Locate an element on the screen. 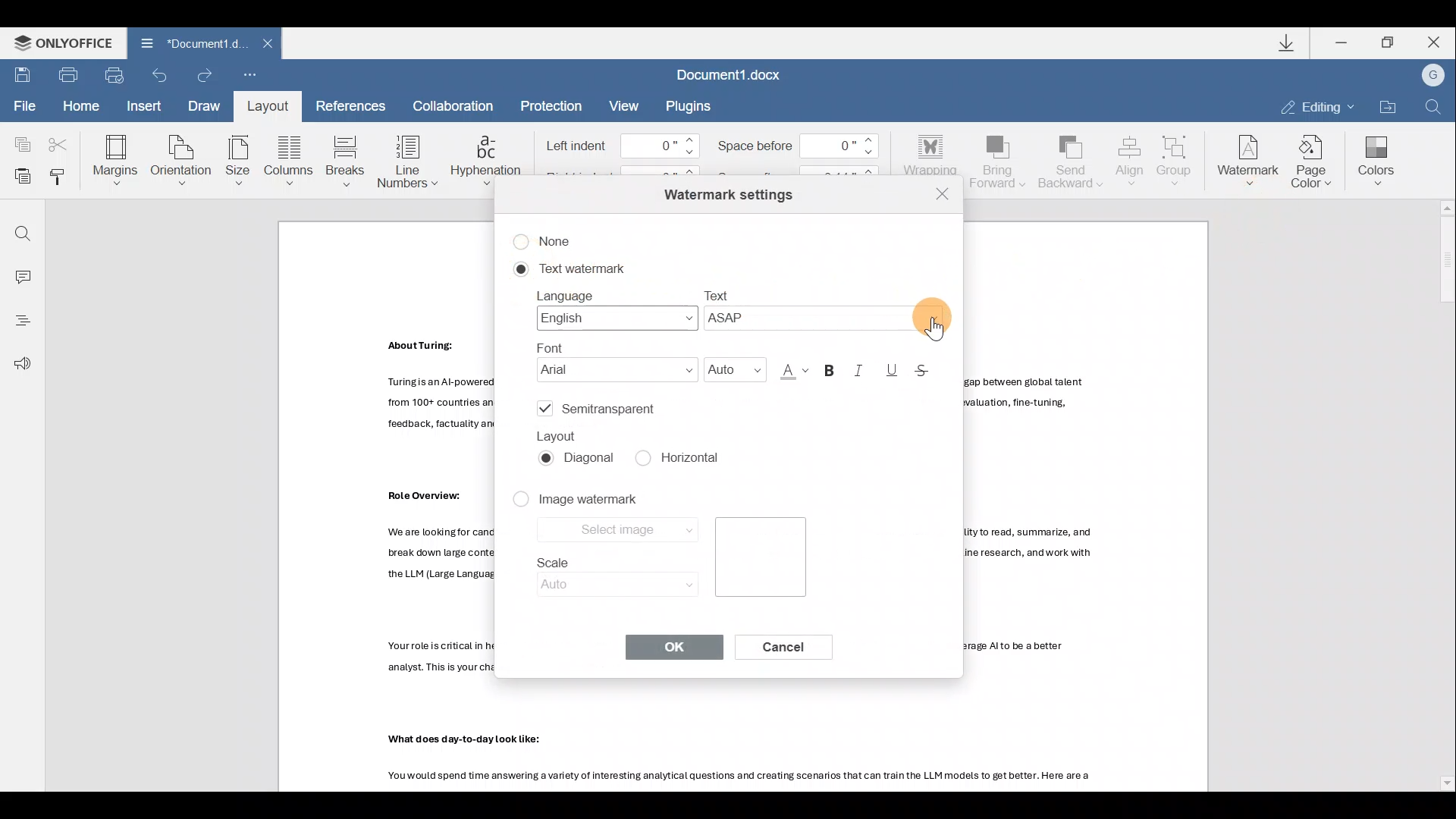 The height and width of the screenshot is (819, 1456). ONLYOFFICE is located at coordinates (63, 42).